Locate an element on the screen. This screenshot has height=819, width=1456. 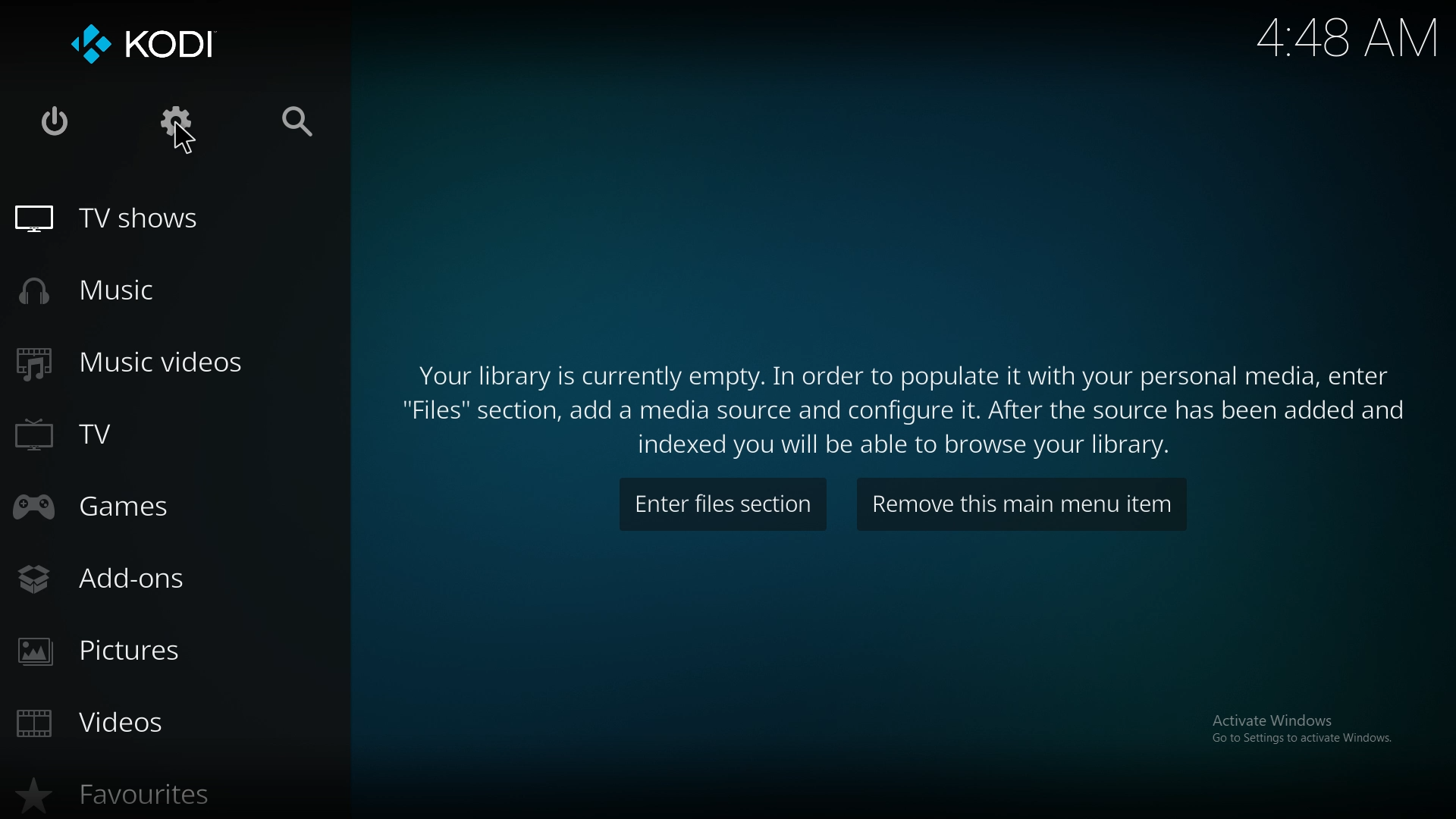
time is located at coordinates (1348, 37).